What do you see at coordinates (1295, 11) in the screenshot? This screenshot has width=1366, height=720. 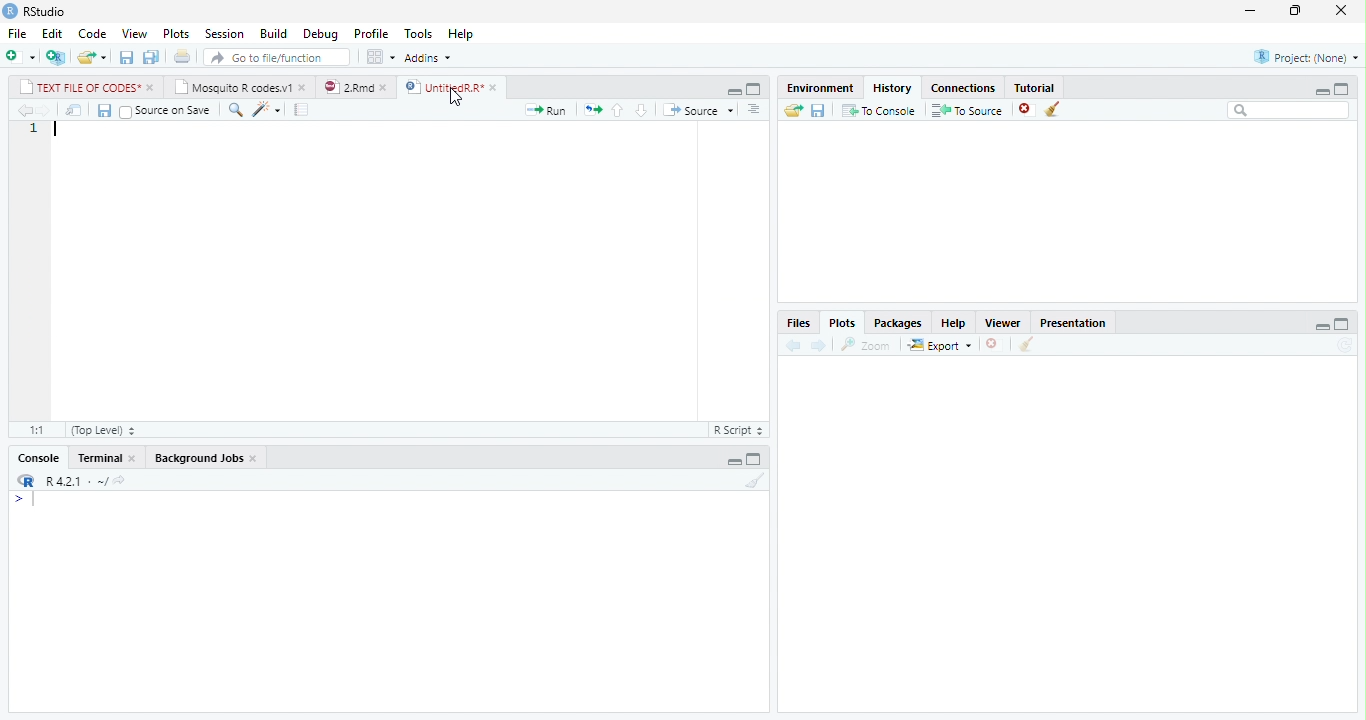 I see `restore` at bounding box center [1295, 11].